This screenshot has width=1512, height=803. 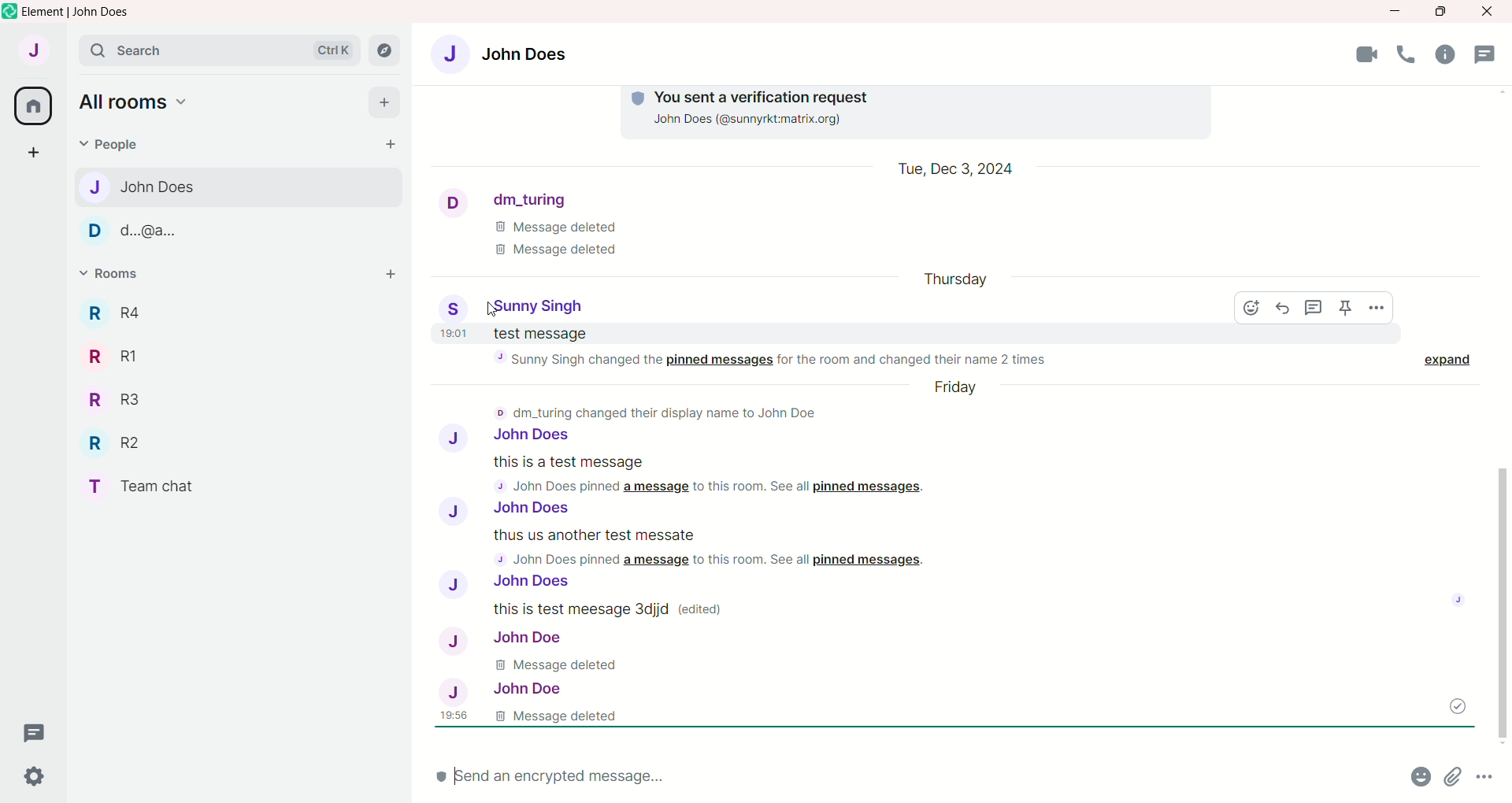 I want to click on options, so click(x=1377, y=309).